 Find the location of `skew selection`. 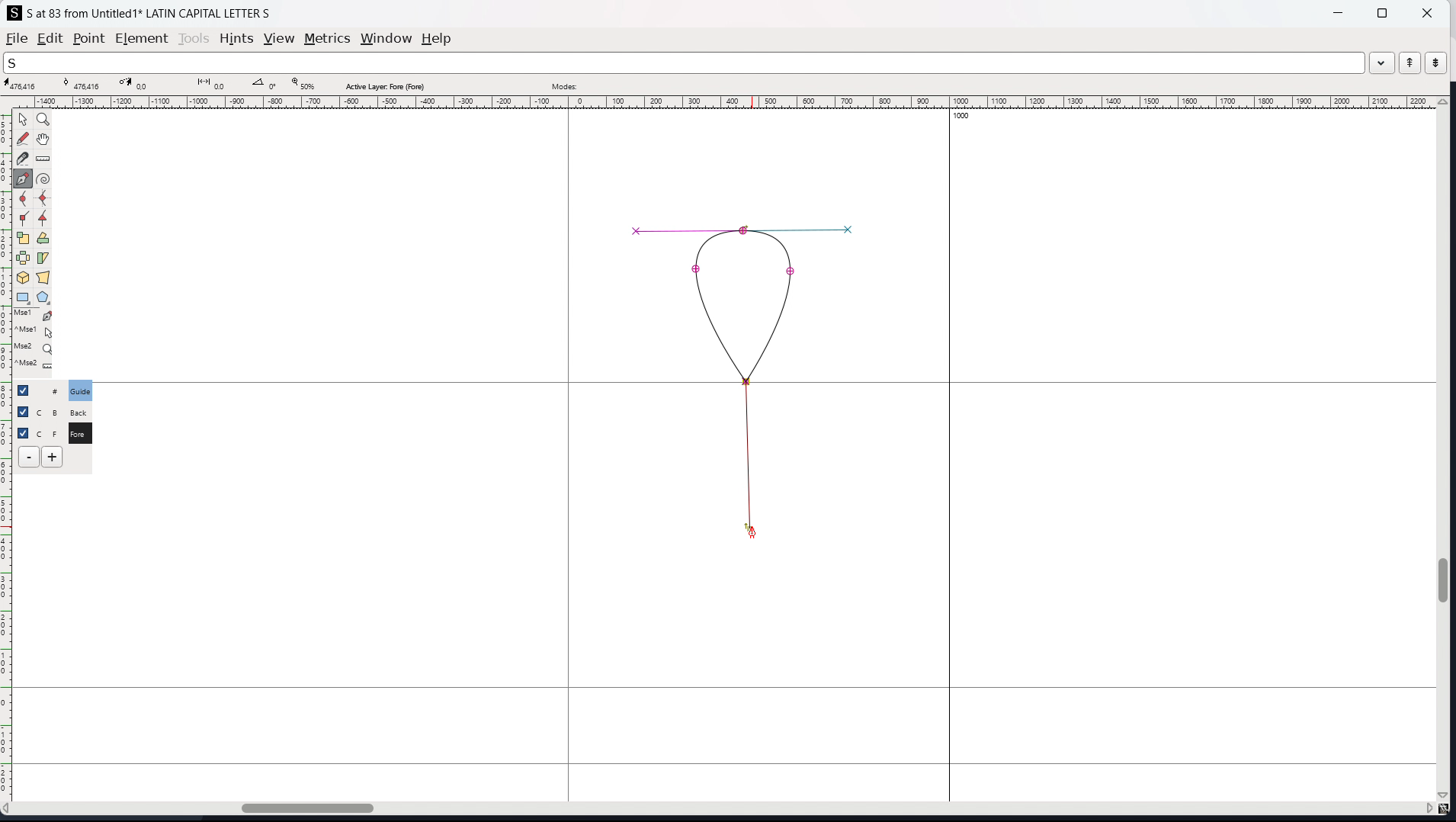

skew selection is located at coordinates (43, 259).